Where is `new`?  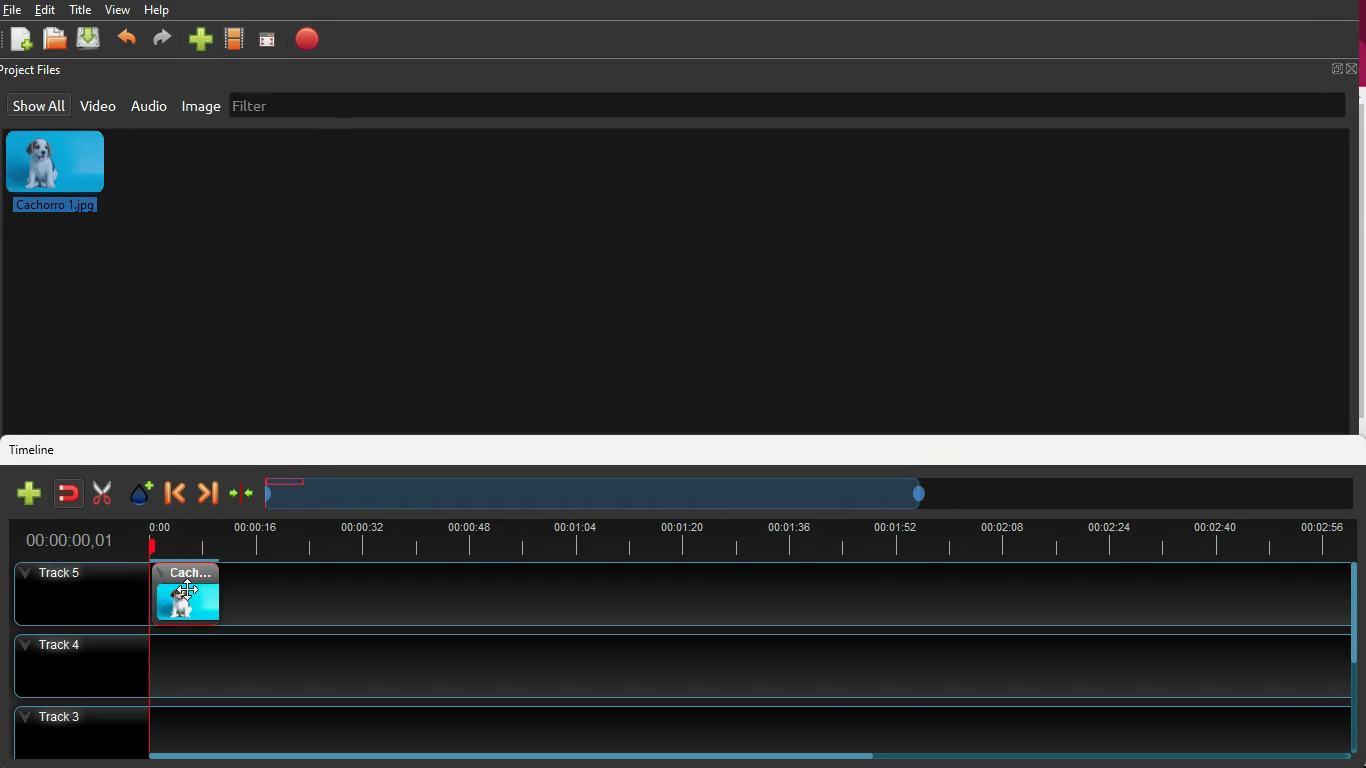
new is located at coordinates (29, 493).